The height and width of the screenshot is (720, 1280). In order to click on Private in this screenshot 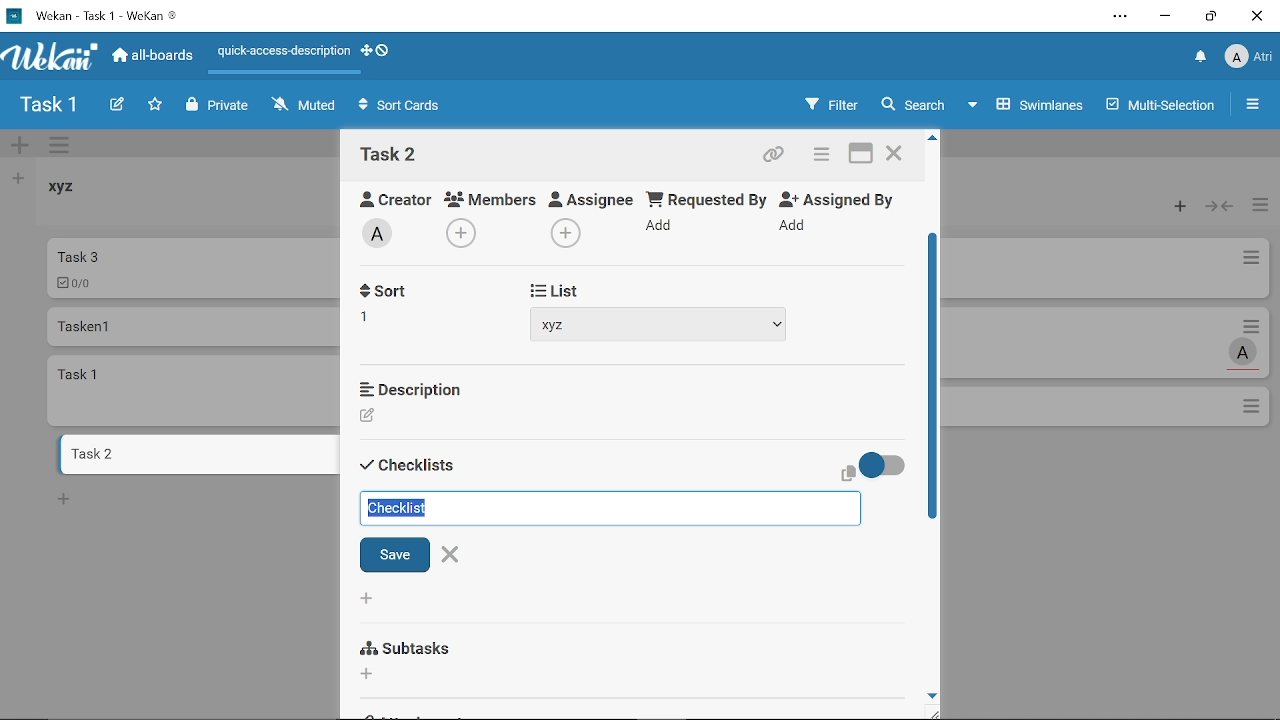, I will do `click(218, 106)`.